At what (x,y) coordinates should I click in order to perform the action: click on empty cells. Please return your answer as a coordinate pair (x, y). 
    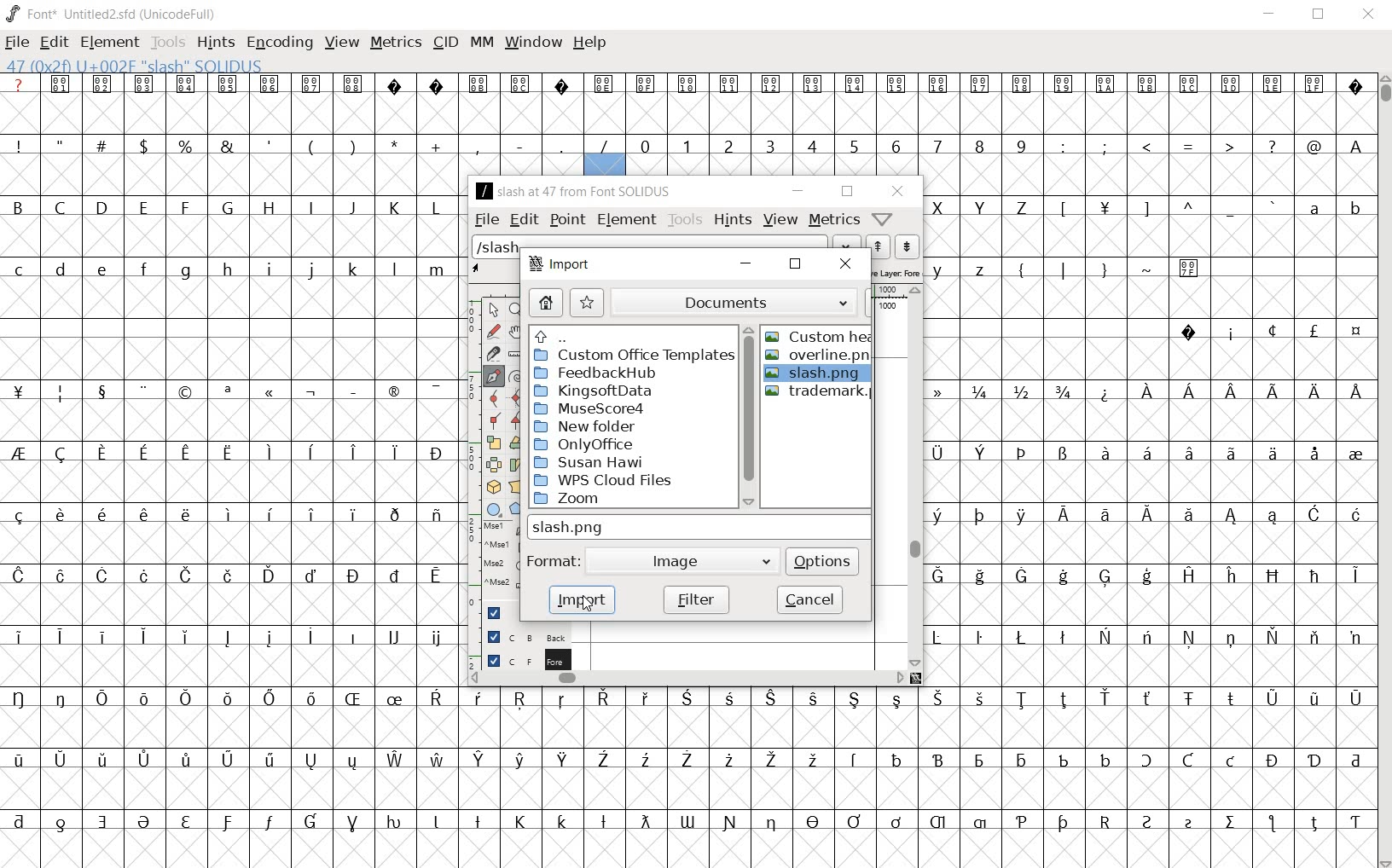
    Looking at the image, I should click on (230, 176).